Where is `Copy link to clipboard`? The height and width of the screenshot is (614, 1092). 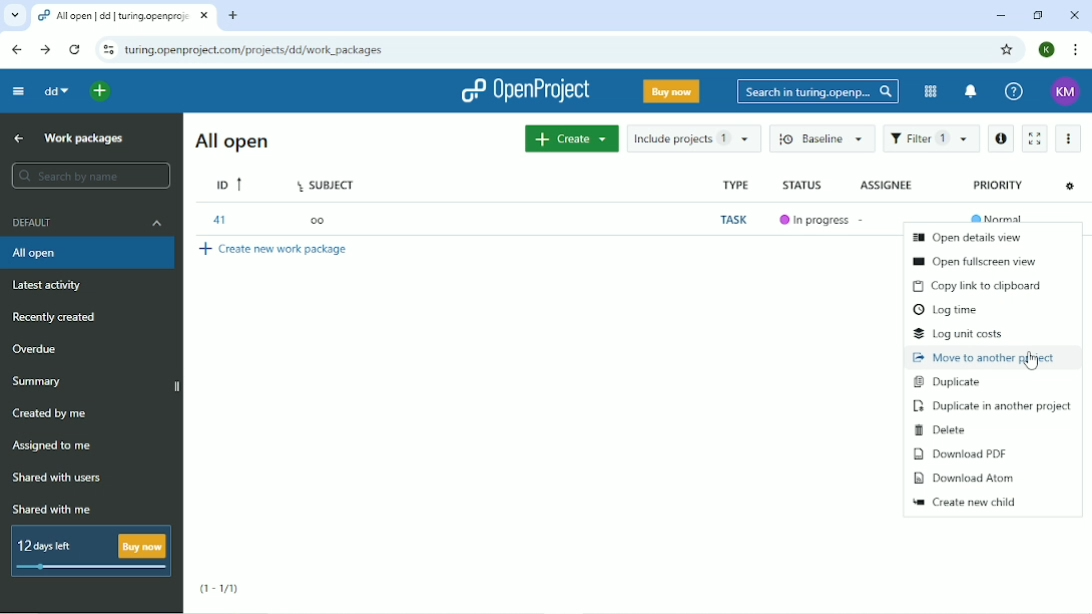 Copy link to clipboard is located at coordinates (977, 286).